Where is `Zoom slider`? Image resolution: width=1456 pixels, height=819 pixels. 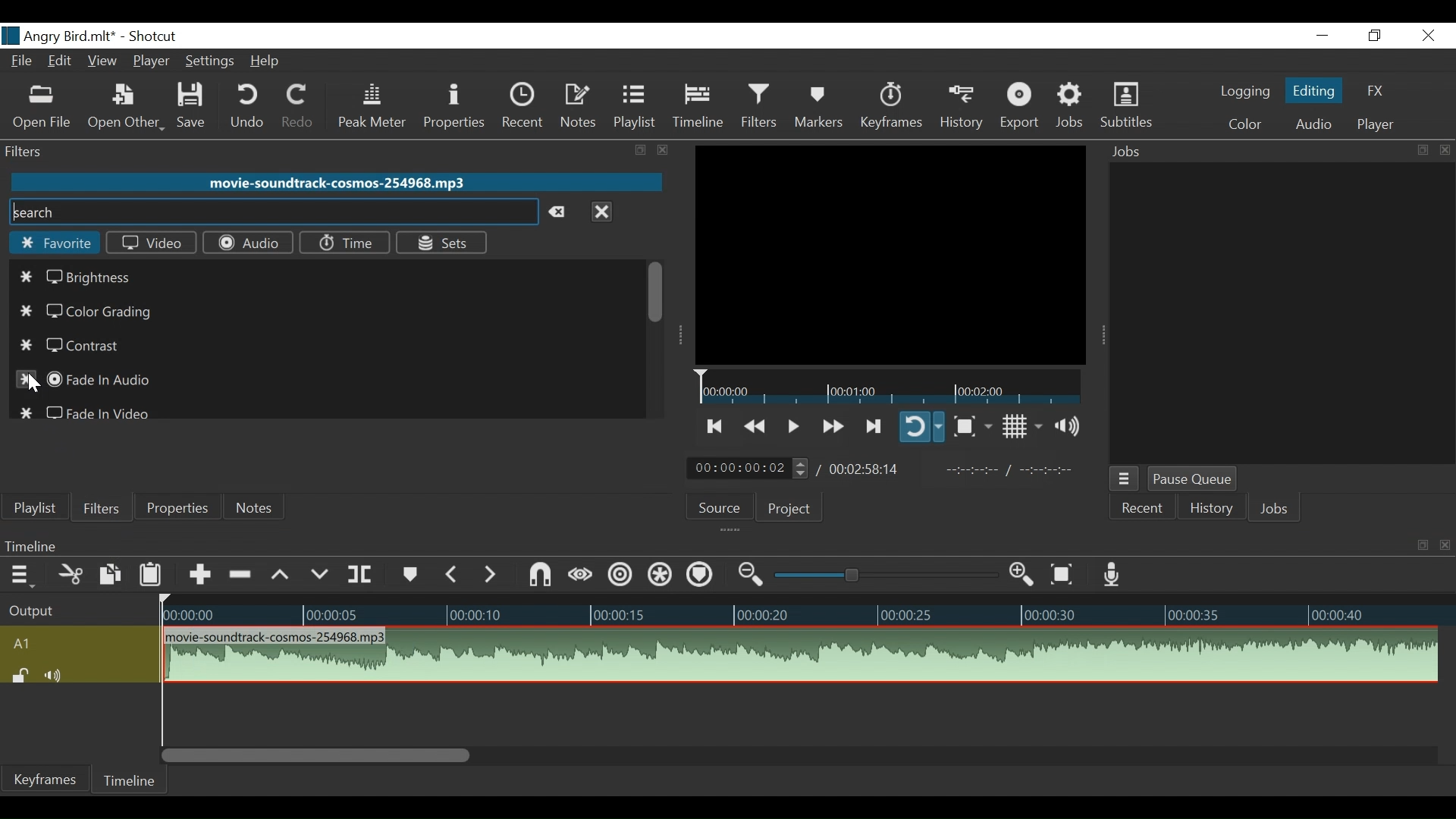
Zoom slider is located at coordinates (881, 576).